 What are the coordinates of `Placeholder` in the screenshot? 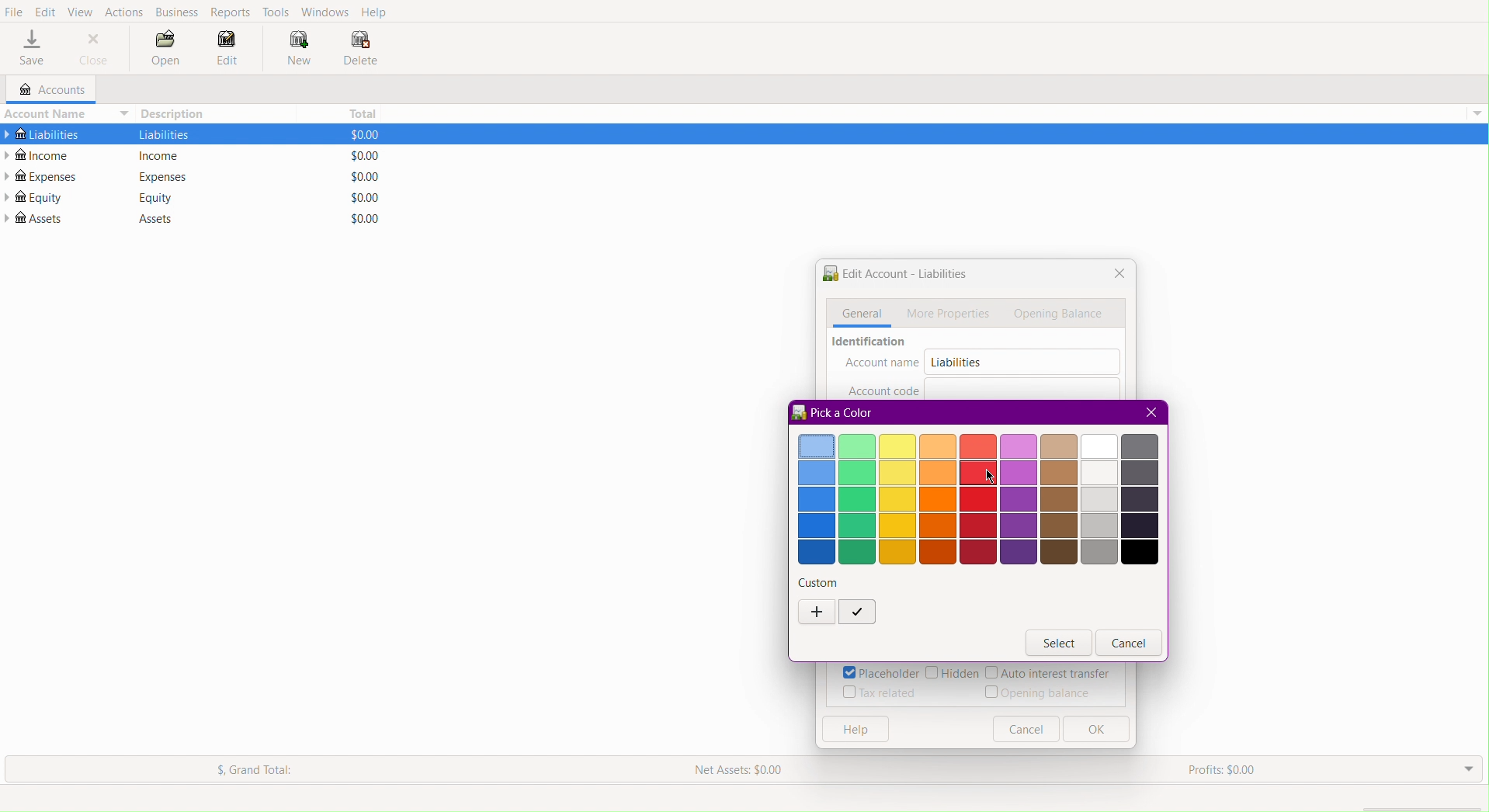 It's located at (880, 673).